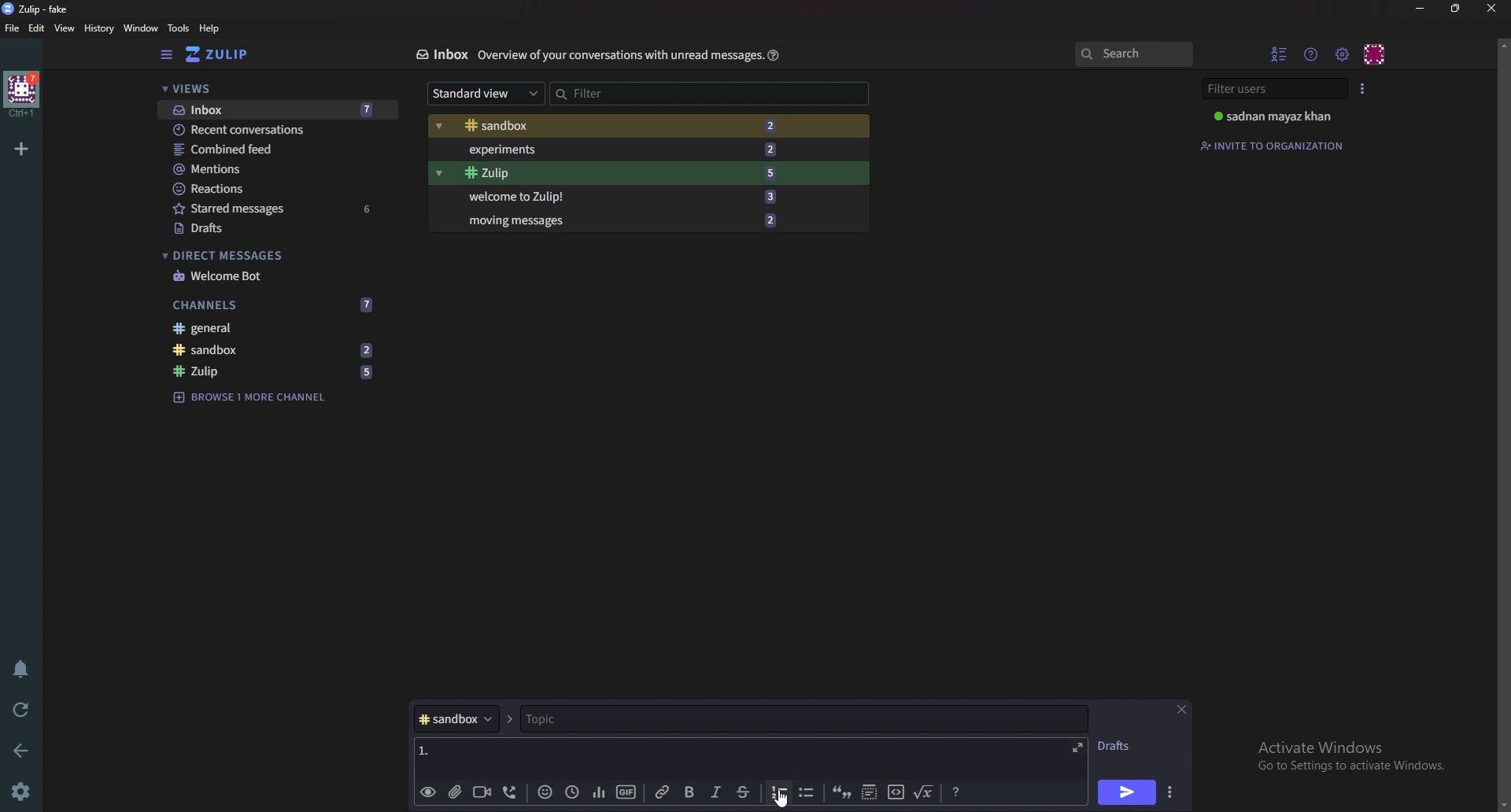  I want to click on Spoiler, so click(867, 794).